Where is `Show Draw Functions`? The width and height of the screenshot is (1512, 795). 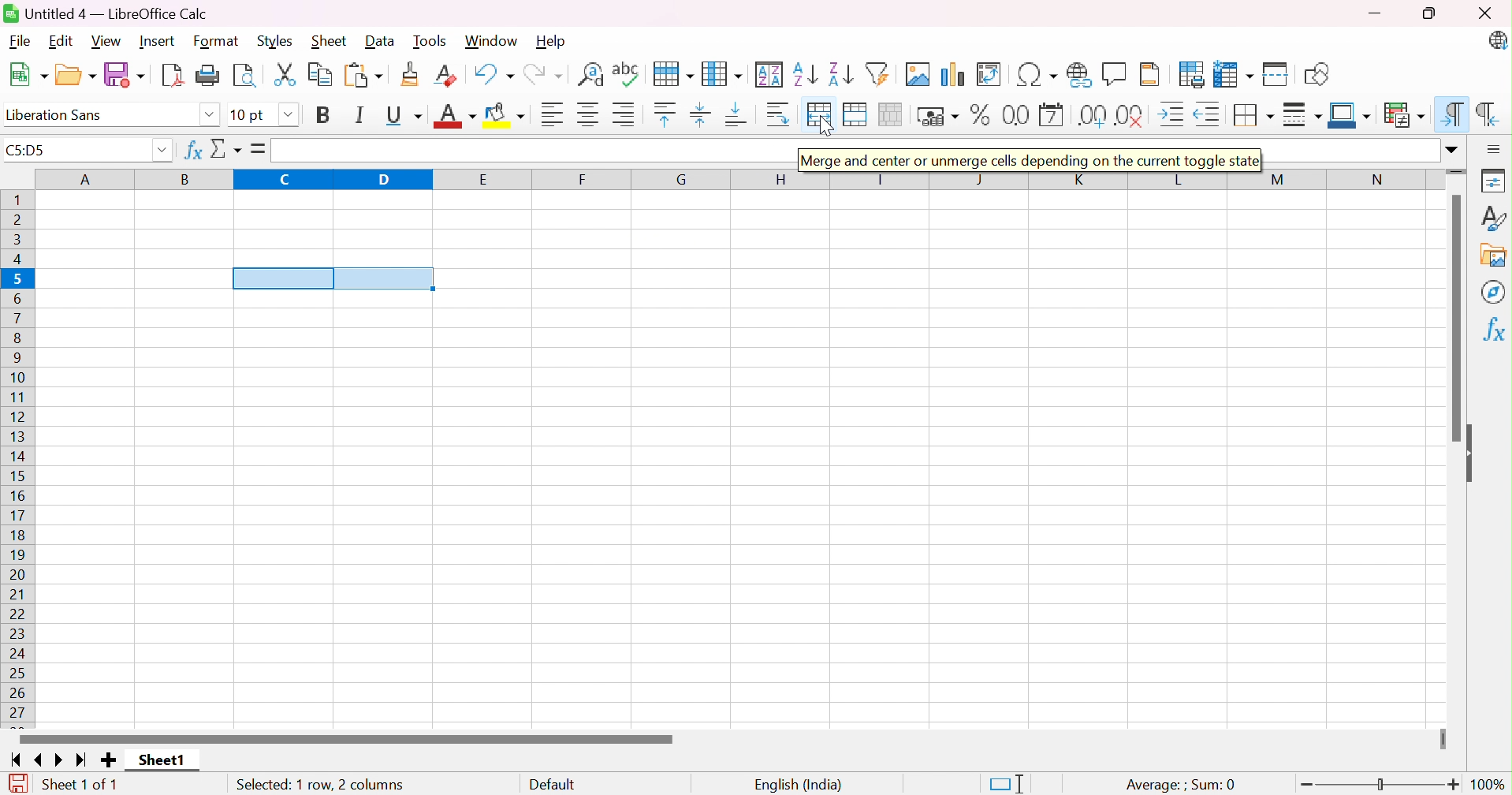
Show Draw Functions is located at coordinates (1315, 73).